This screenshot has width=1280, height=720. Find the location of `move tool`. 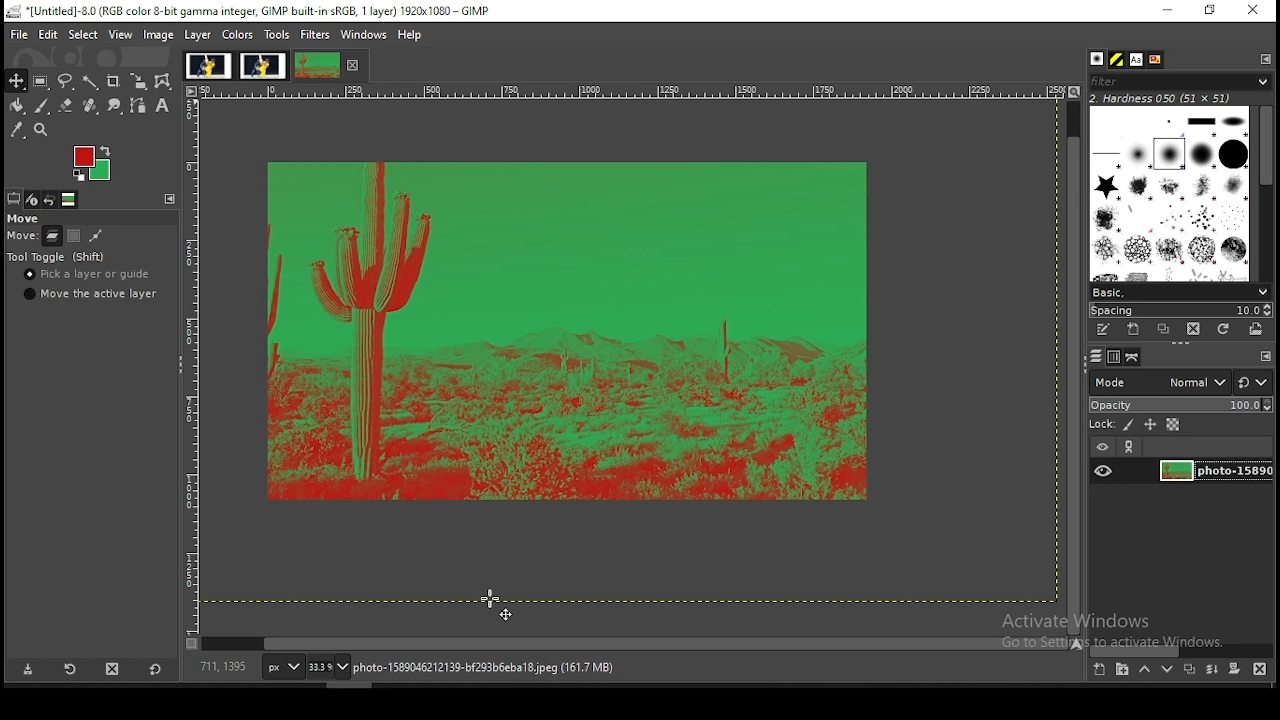

move tool is located at coordinates (15, 80).